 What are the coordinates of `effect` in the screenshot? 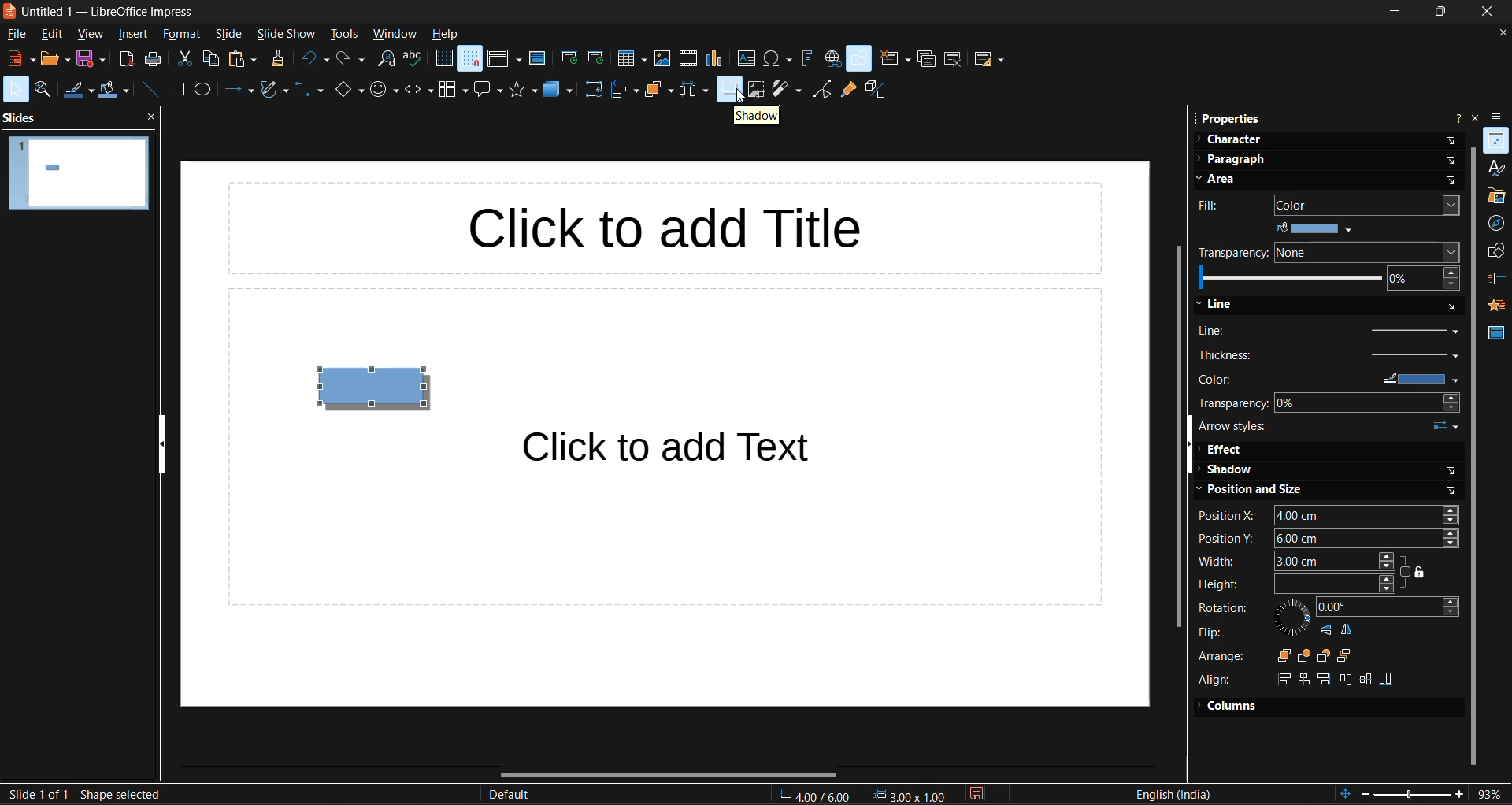 It's located at (1226, 451).